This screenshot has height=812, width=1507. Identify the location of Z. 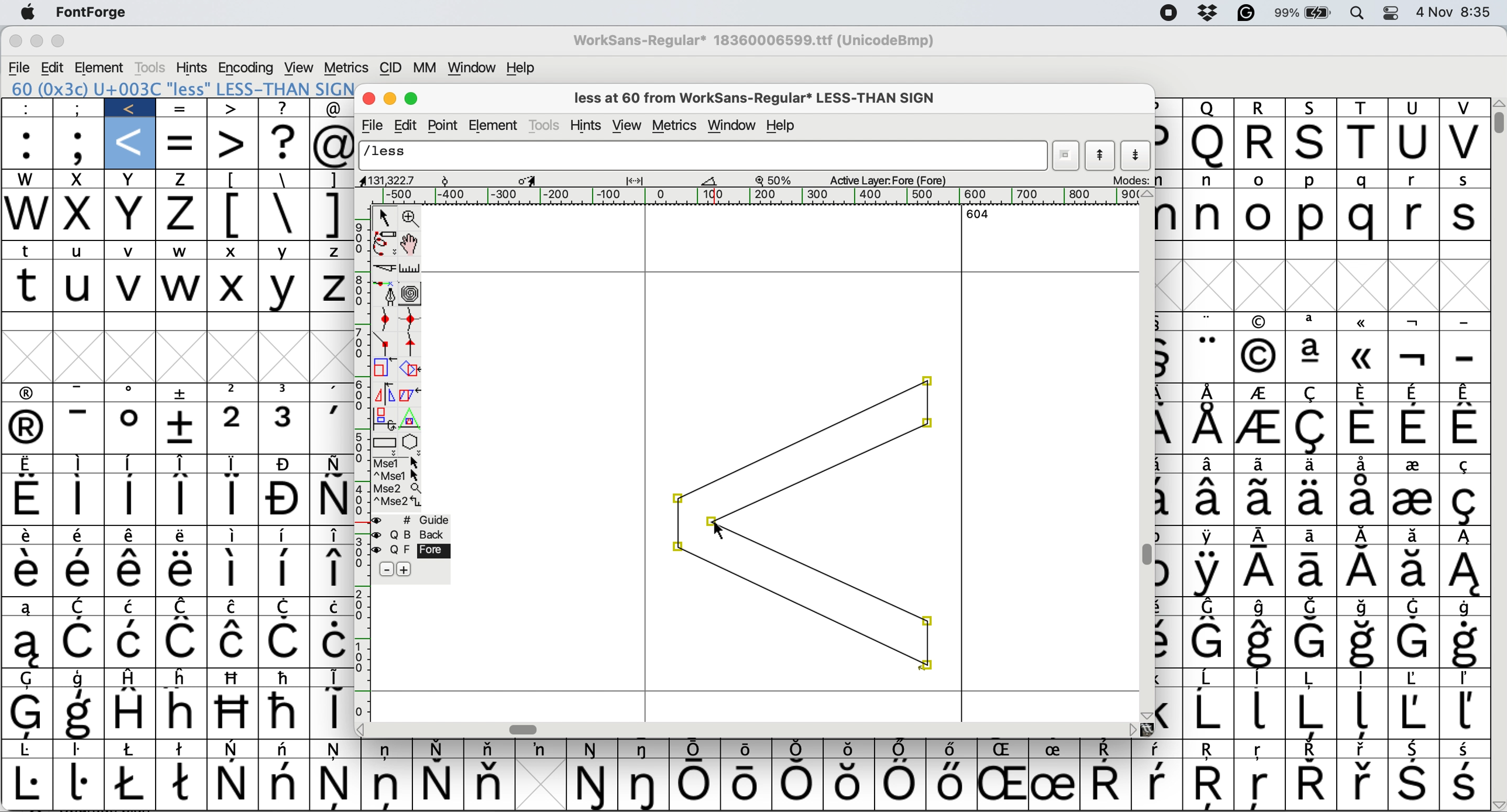
(330, 287).